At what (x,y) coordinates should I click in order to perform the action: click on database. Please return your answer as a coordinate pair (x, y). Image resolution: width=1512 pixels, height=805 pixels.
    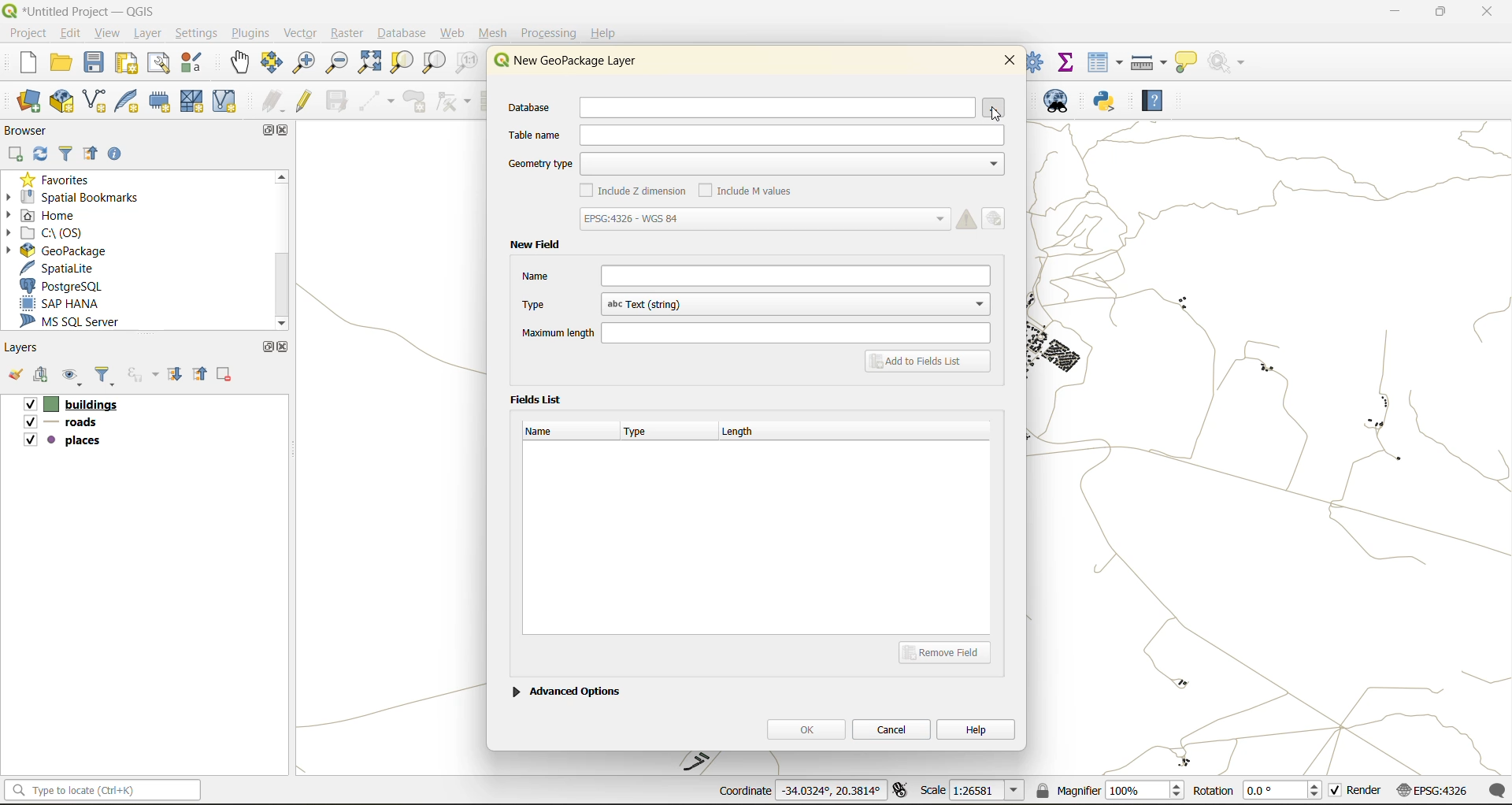
    Looking at the image, I should click on (758, 106).